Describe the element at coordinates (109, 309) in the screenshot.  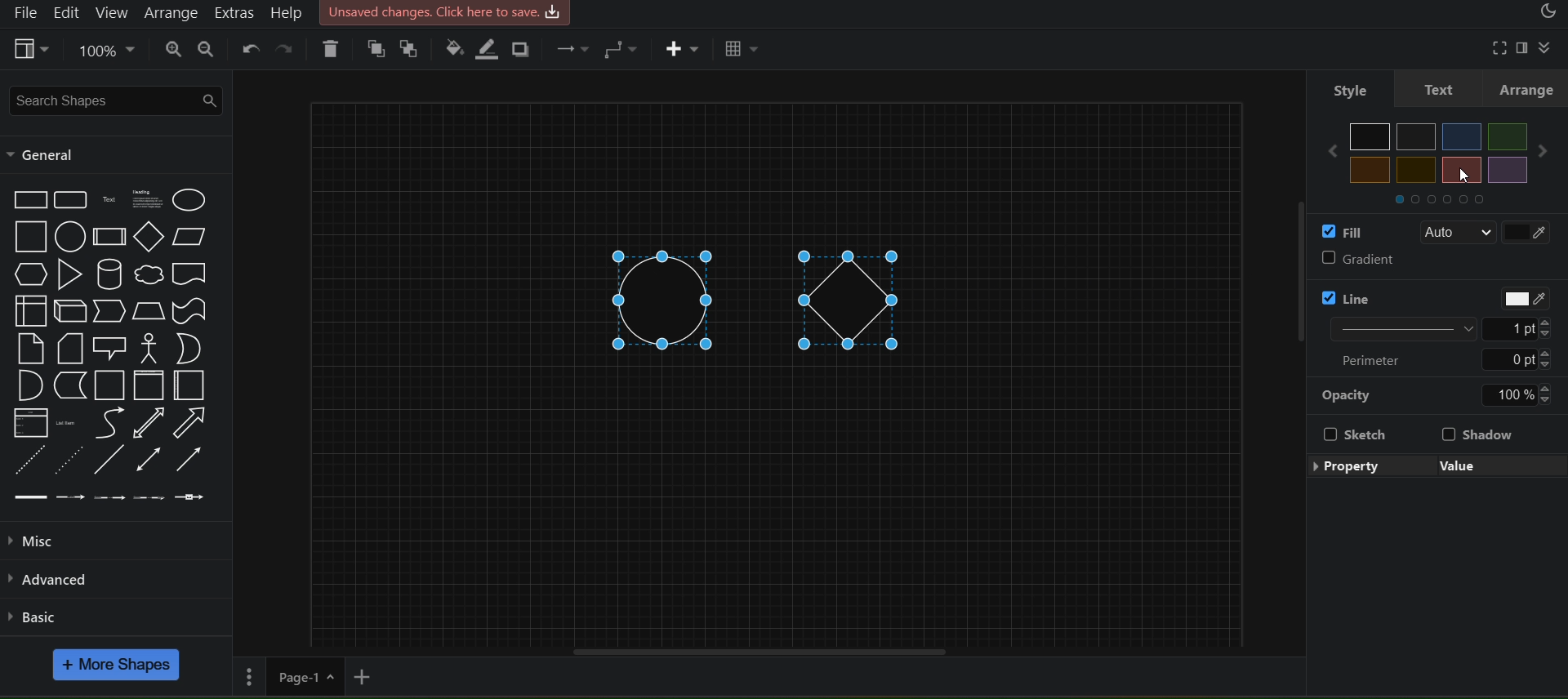
I see `Step` at that location.